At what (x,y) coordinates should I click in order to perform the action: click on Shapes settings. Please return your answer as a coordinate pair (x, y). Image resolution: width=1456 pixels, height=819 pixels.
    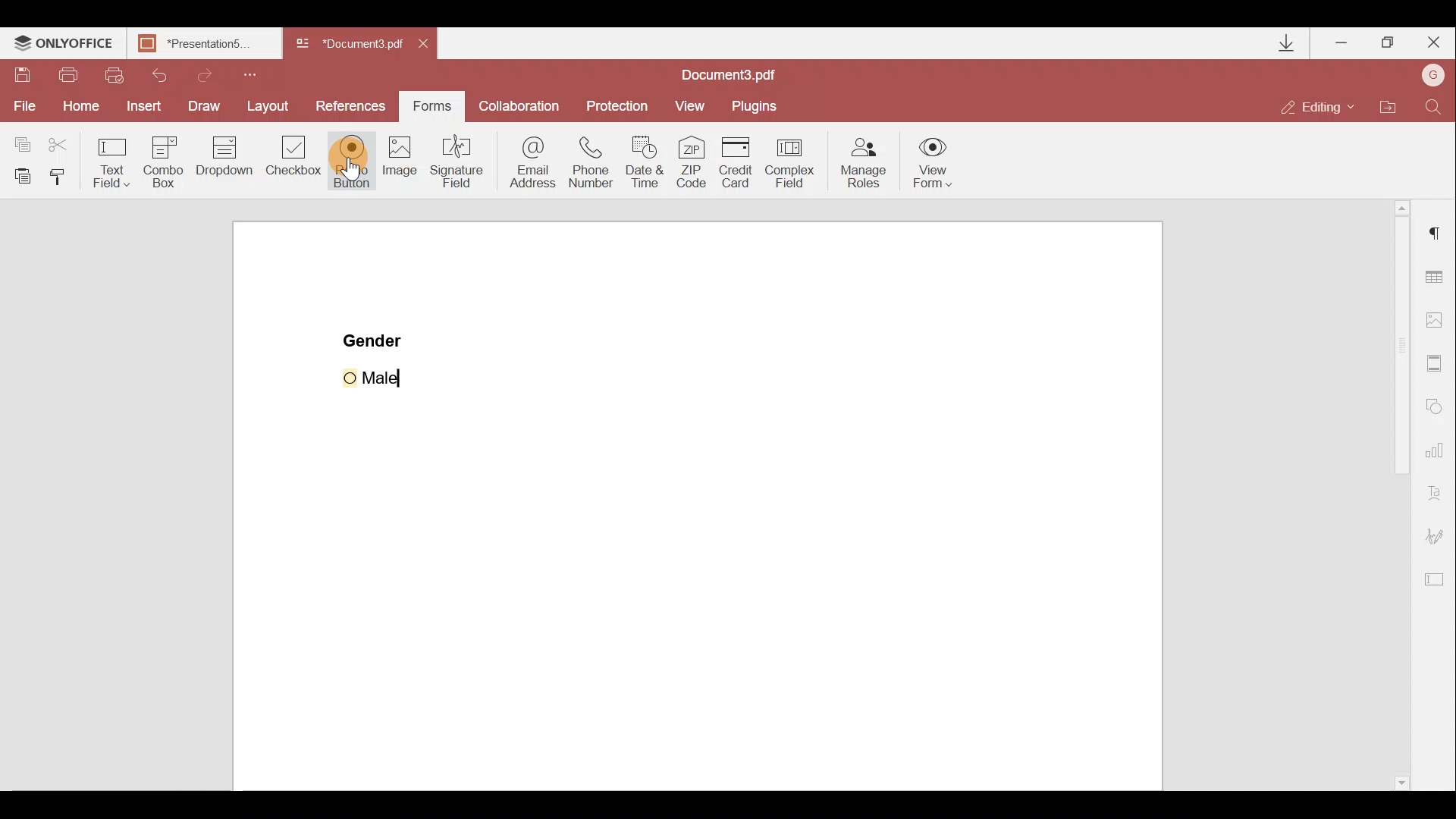
    Looking at the image, I should click on (1438, 408).